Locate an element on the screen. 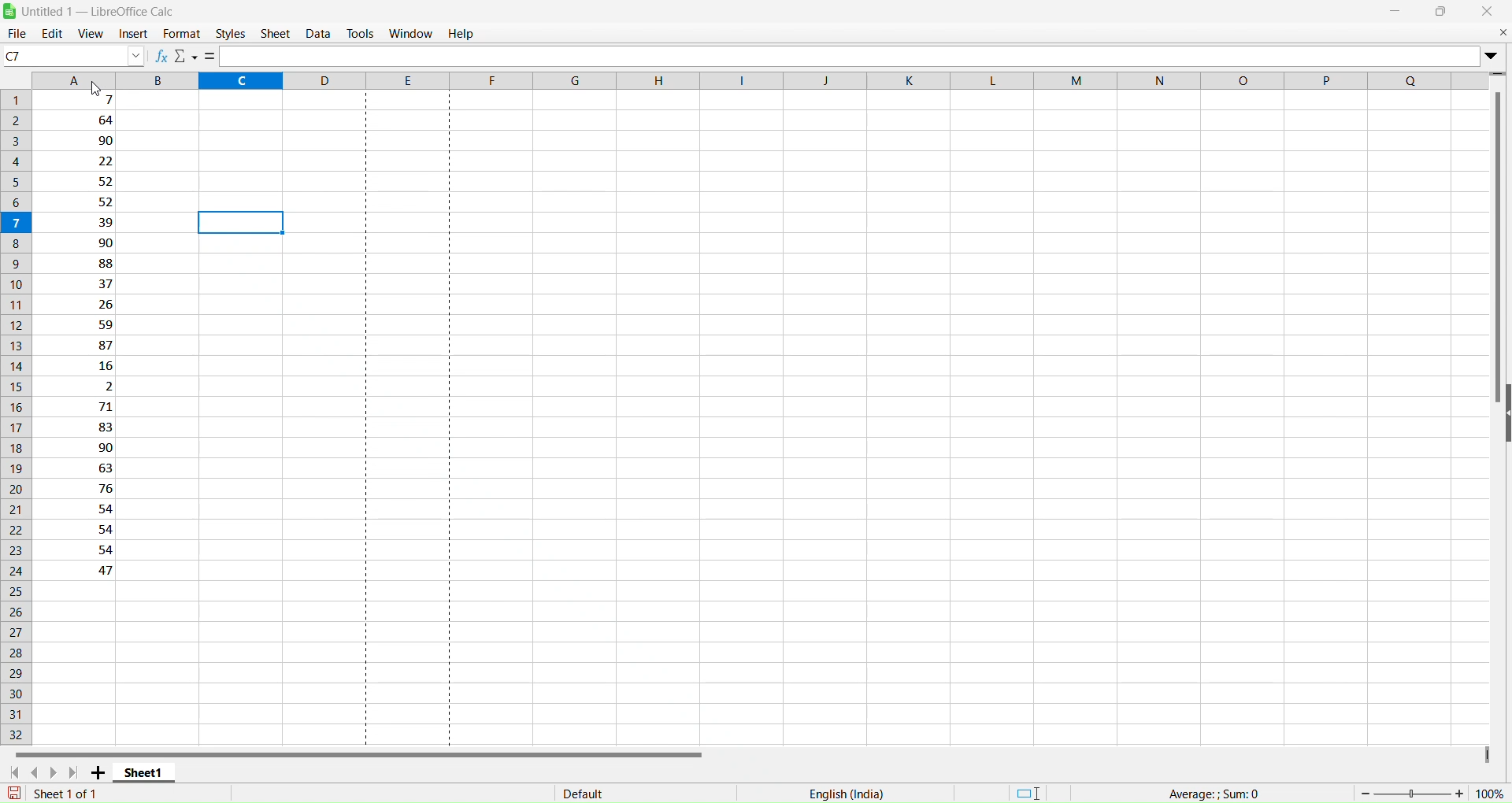 This screenshot has height=803, width=1512. Insert is located at coordinates (131, 34).